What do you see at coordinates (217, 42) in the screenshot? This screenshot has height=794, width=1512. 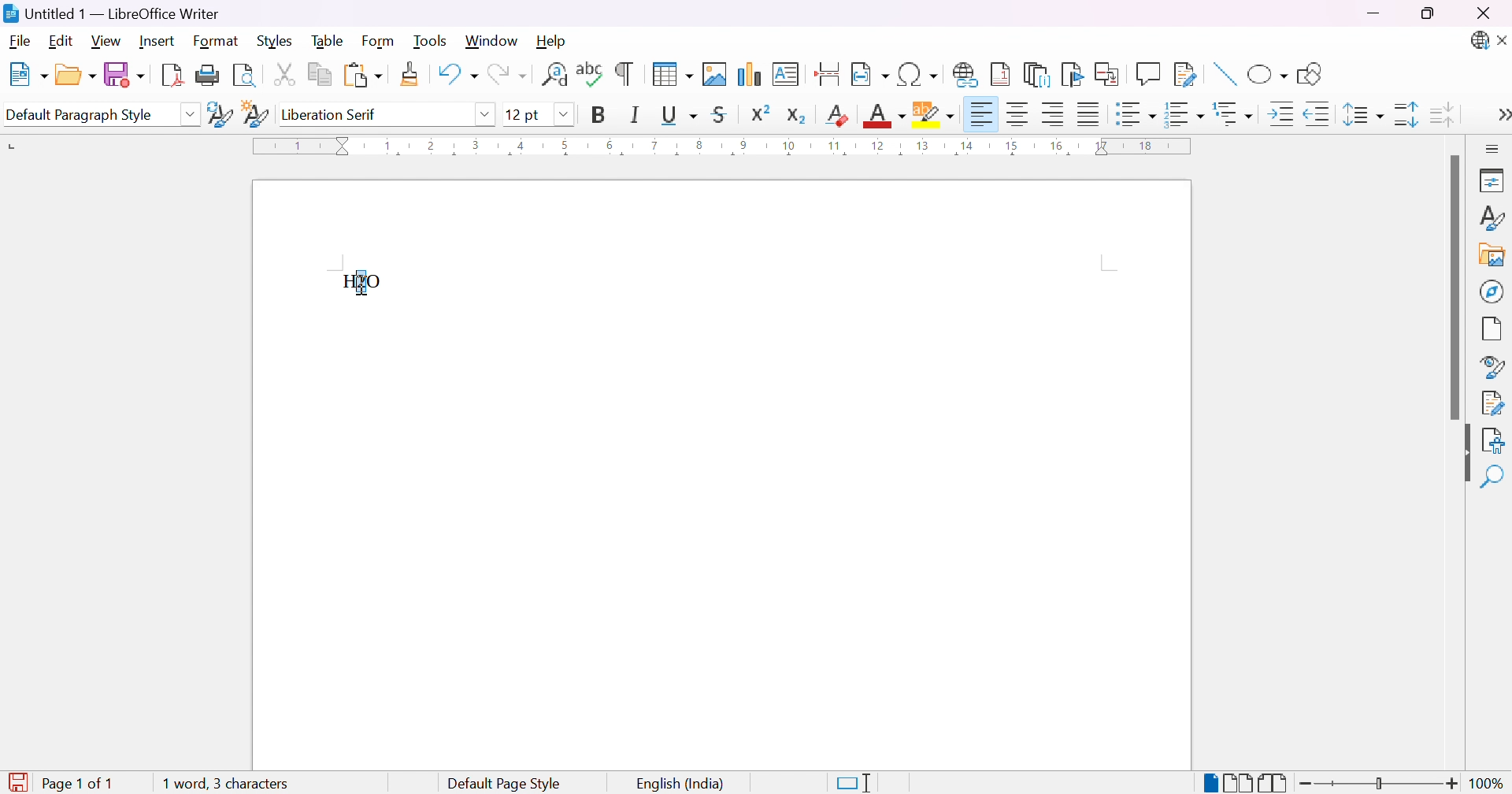 I see `Format` at bounding box center [217, 42].